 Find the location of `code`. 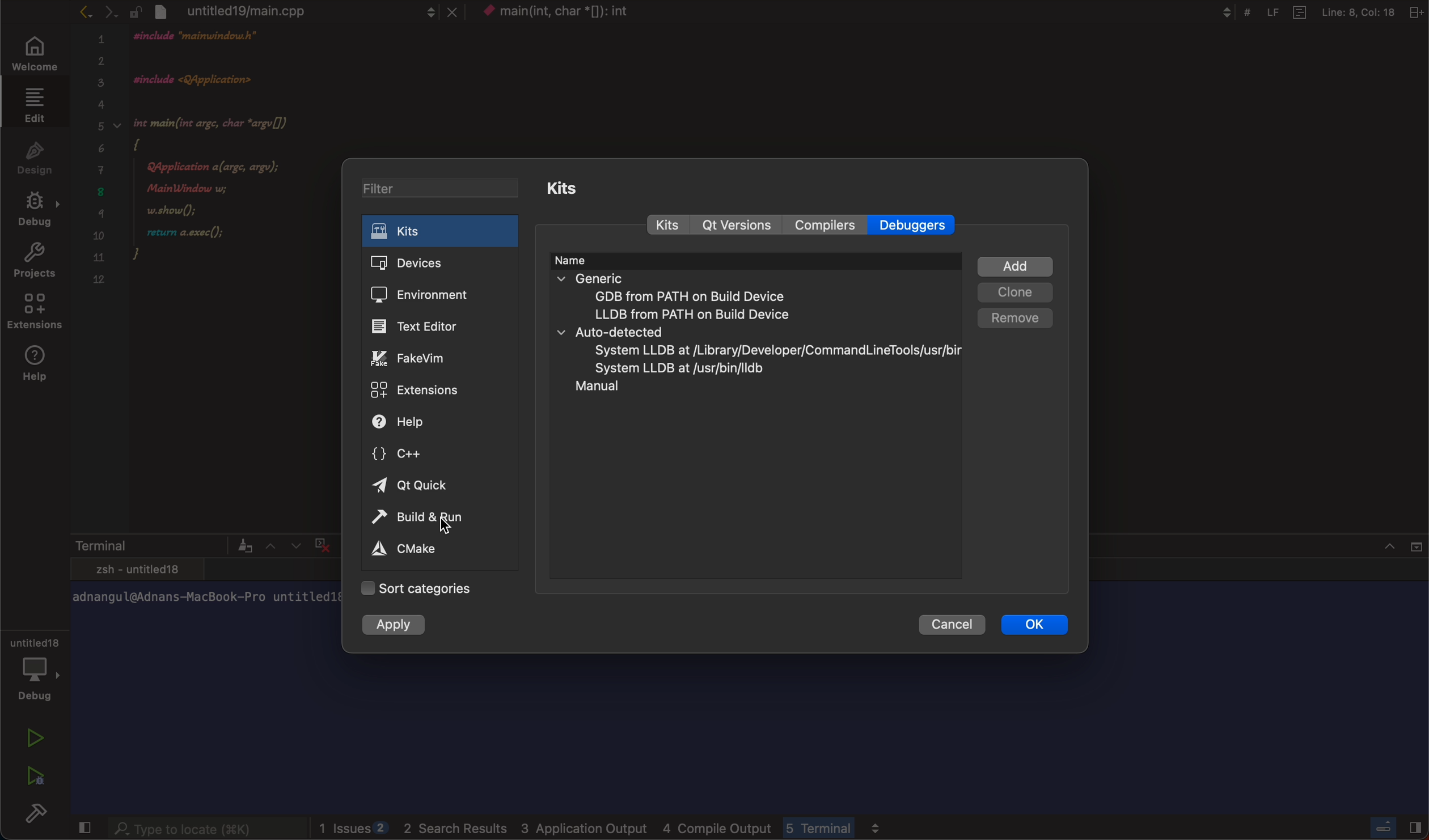

code is located at coordinates (206, 157).